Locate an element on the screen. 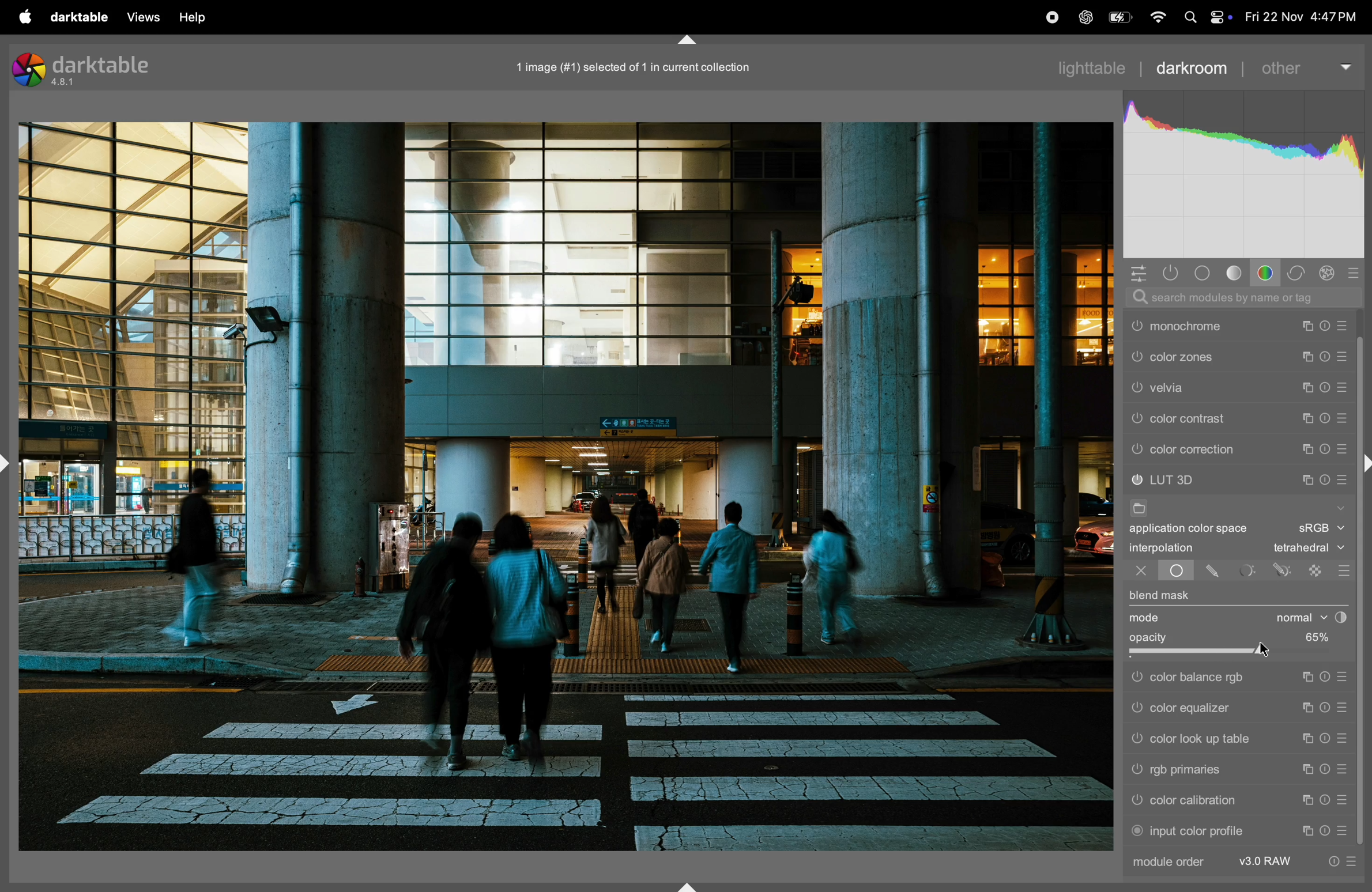 The width and height of the screenshot is (1372, 892). apple menu is located at coordinates (25, 16).